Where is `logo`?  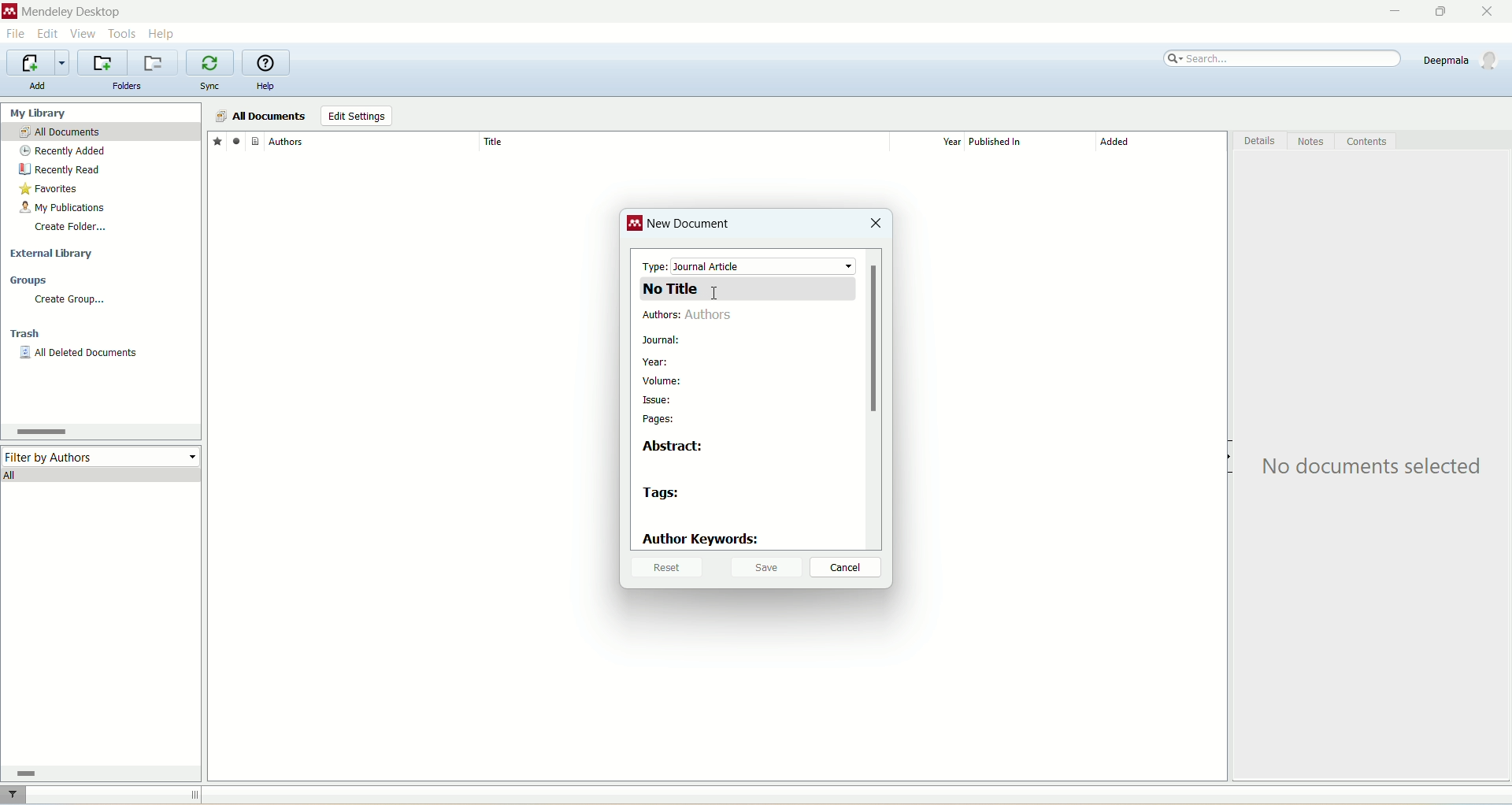
logo is located at coordinates (636, 225).